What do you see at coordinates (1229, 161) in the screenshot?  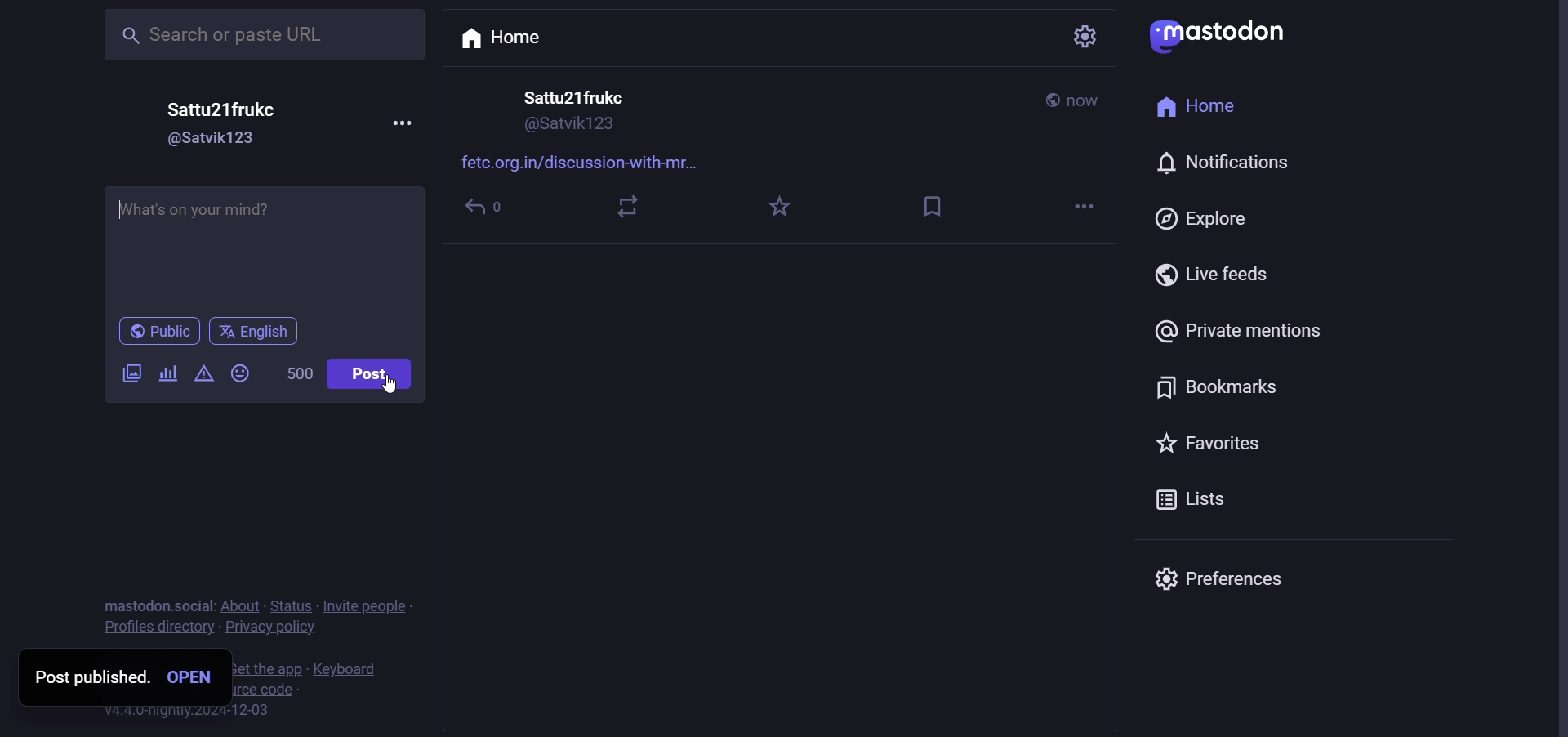 I see `notification` at bounding box center [1229, 161].